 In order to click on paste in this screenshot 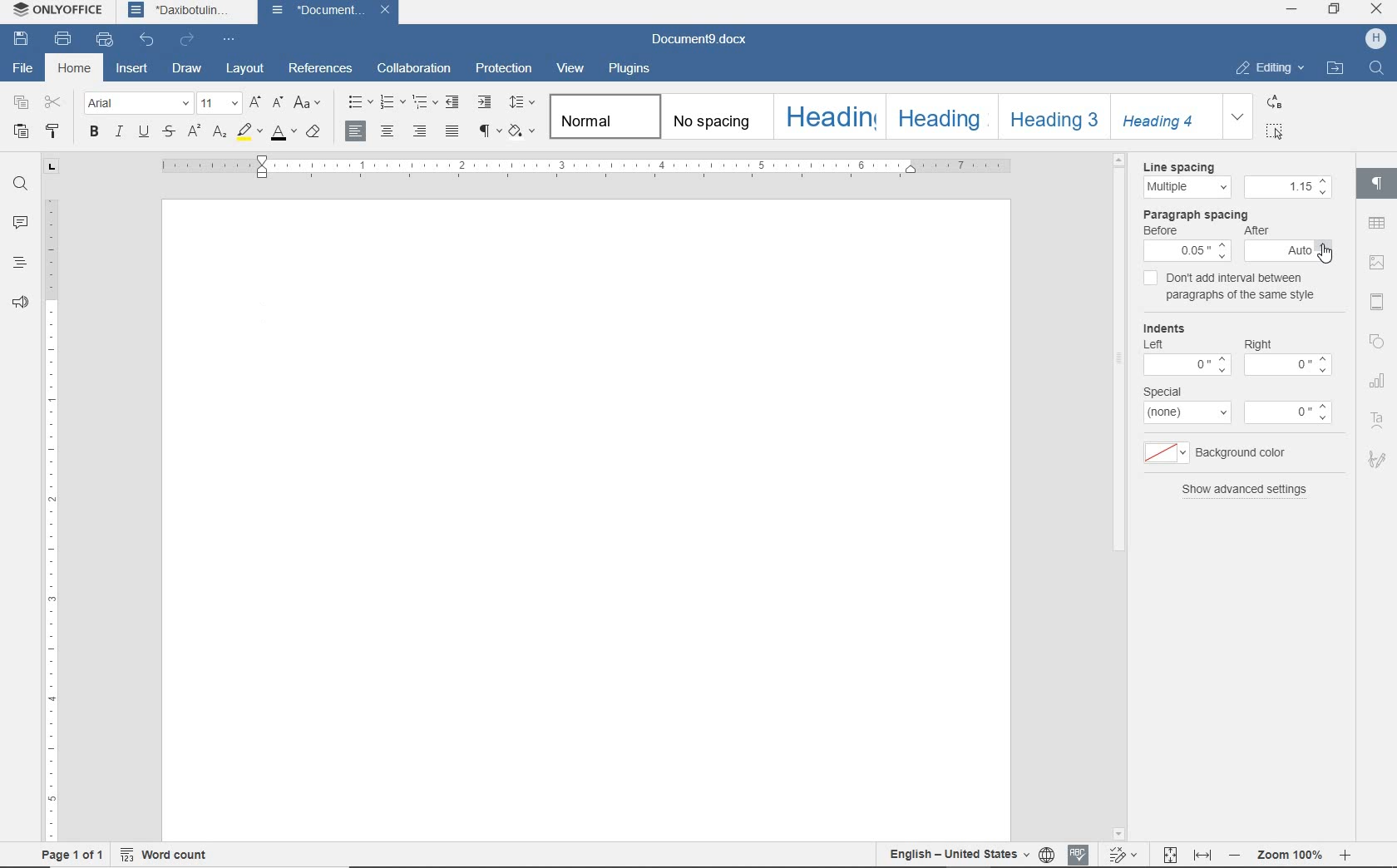, I will do `click(22, 131)`.